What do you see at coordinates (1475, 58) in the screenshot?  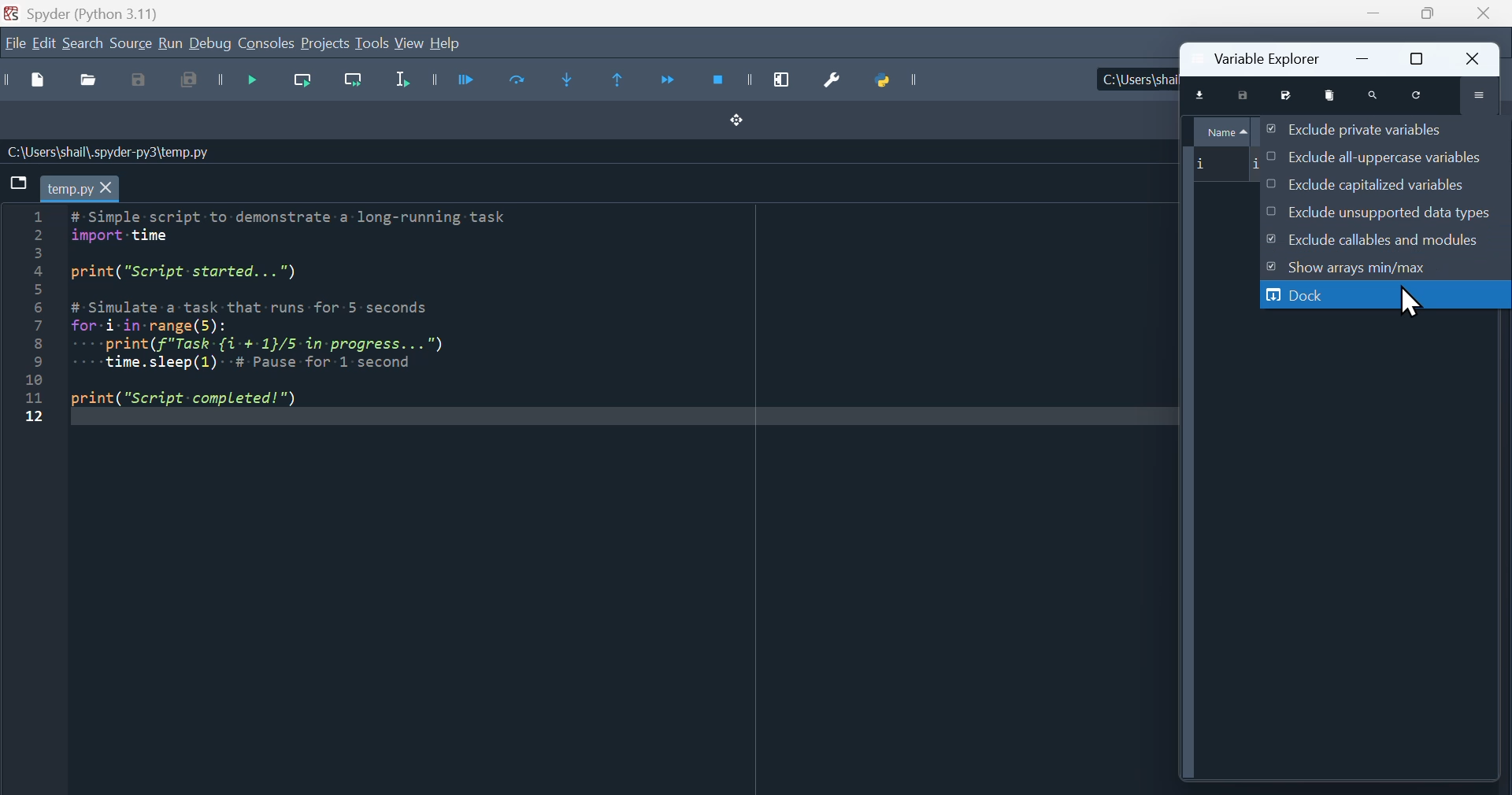 I see `close` at bounding box center [1475, 58].